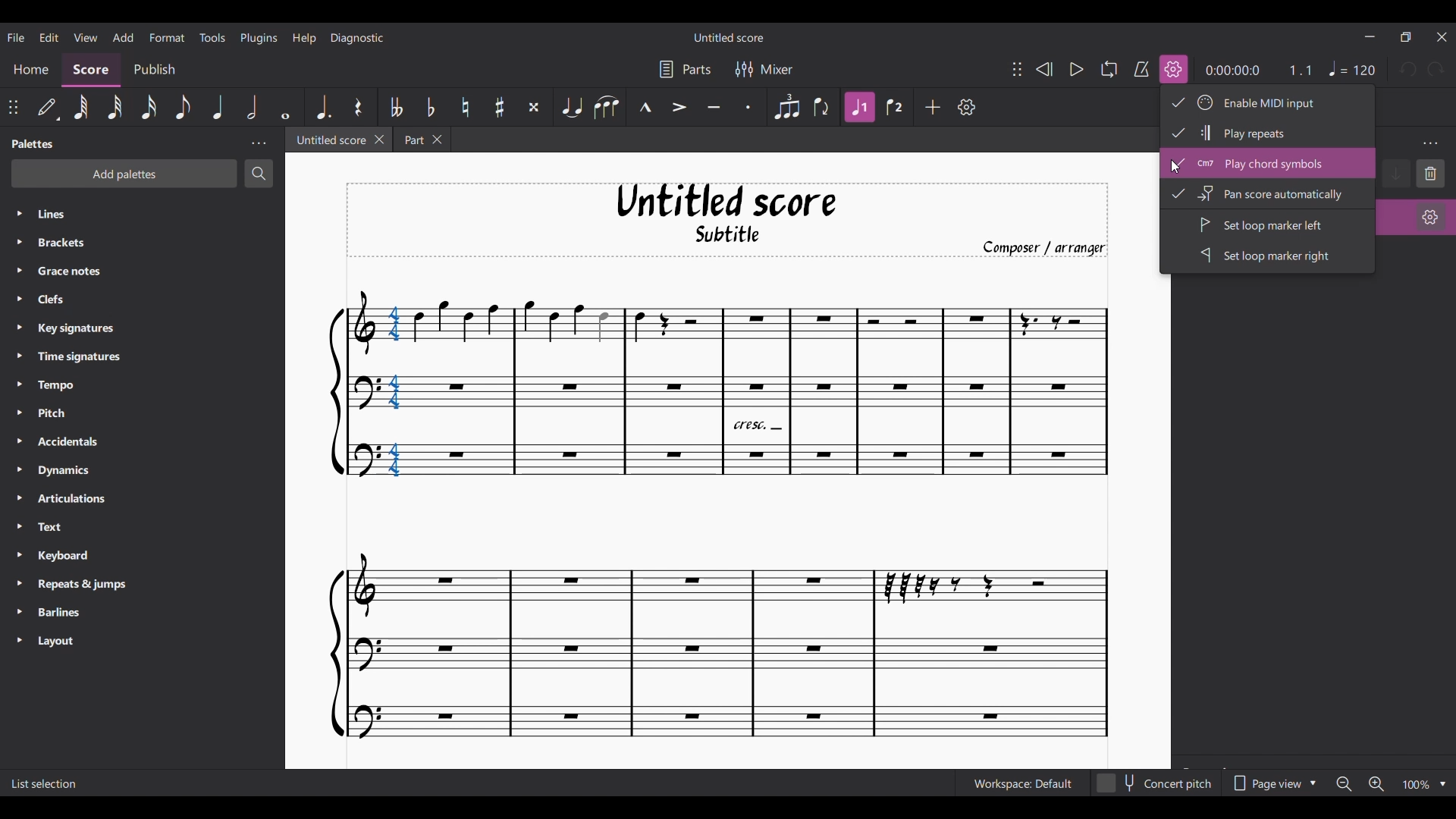  I want to click on Tuplet, so click(787, 107).